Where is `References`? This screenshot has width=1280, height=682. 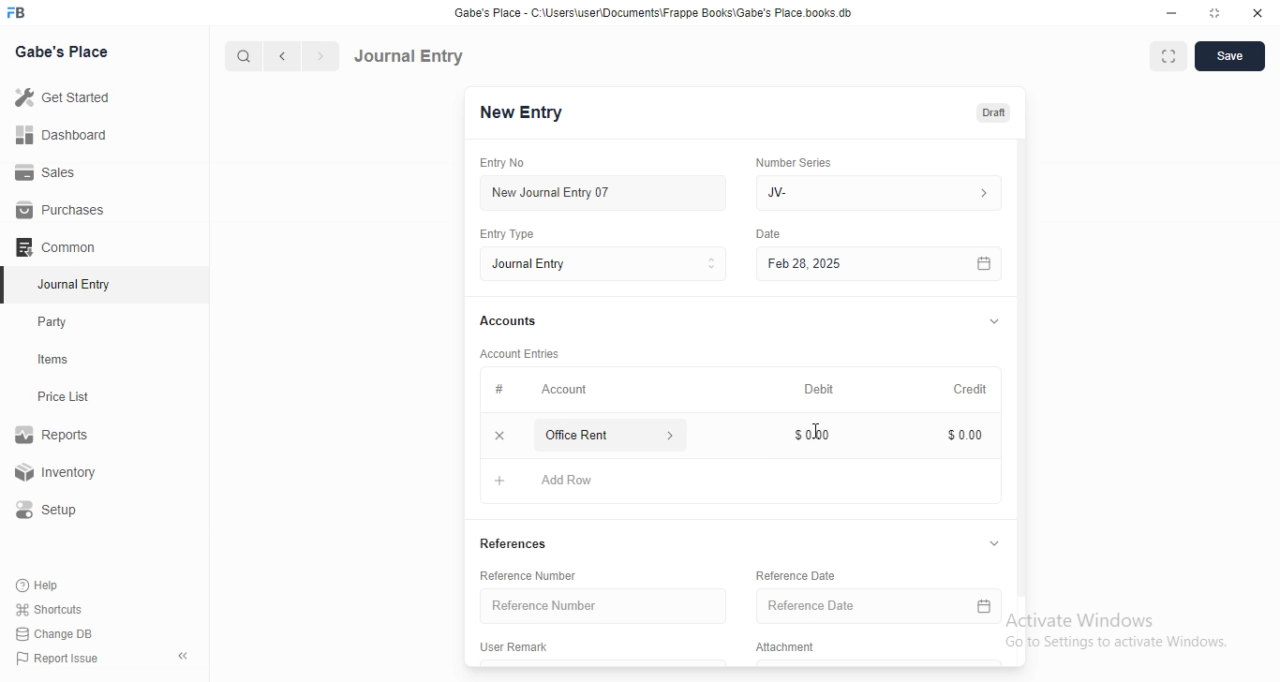 References is located at coordinates (521, 545).